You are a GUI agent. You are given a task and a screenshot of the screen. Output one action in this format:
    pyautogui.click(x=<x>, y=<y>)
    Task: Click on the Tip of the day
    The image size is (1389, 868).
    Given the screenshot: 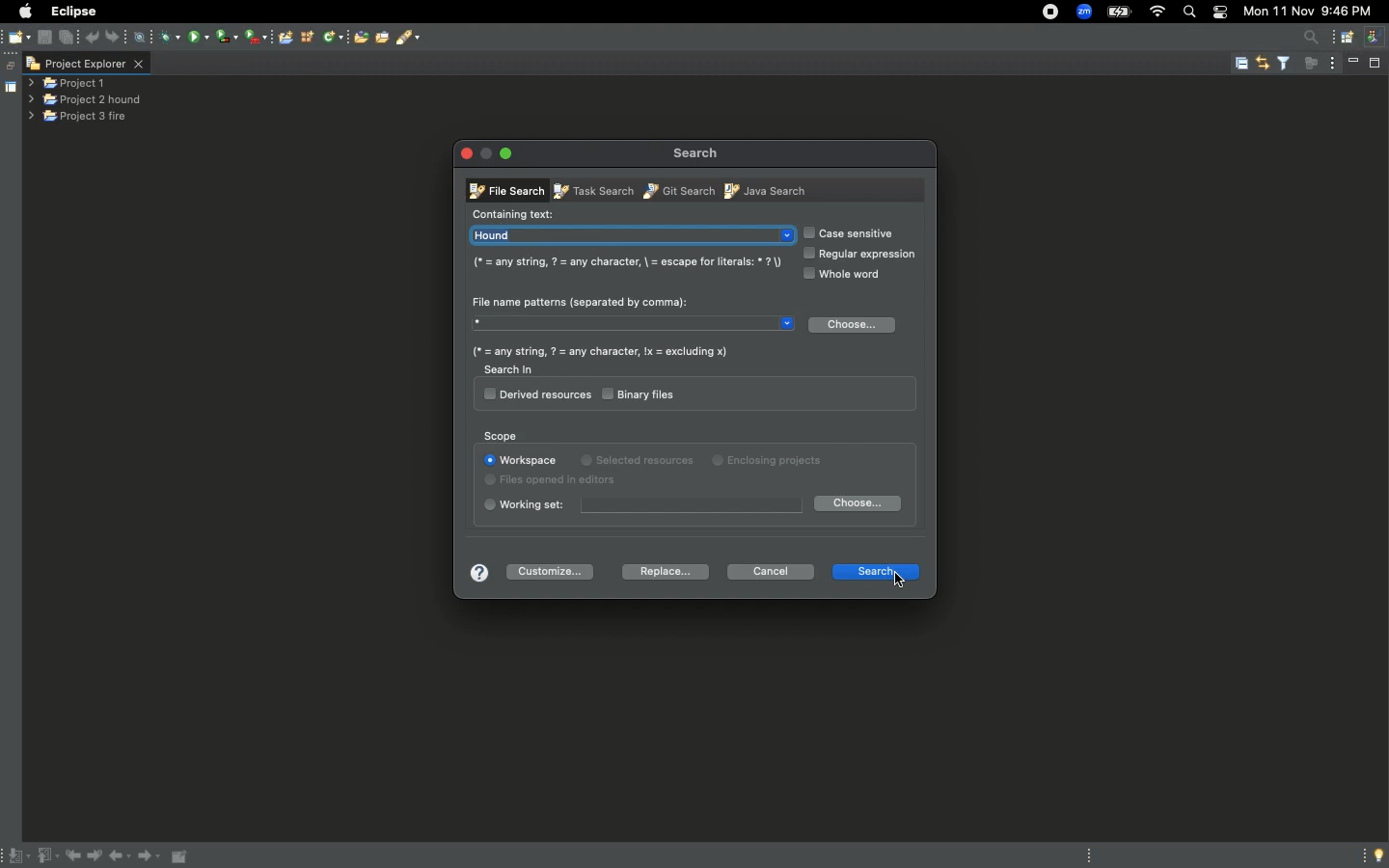 What is the action you would take?
    pyautogui.click(x=1374, y=855)
    